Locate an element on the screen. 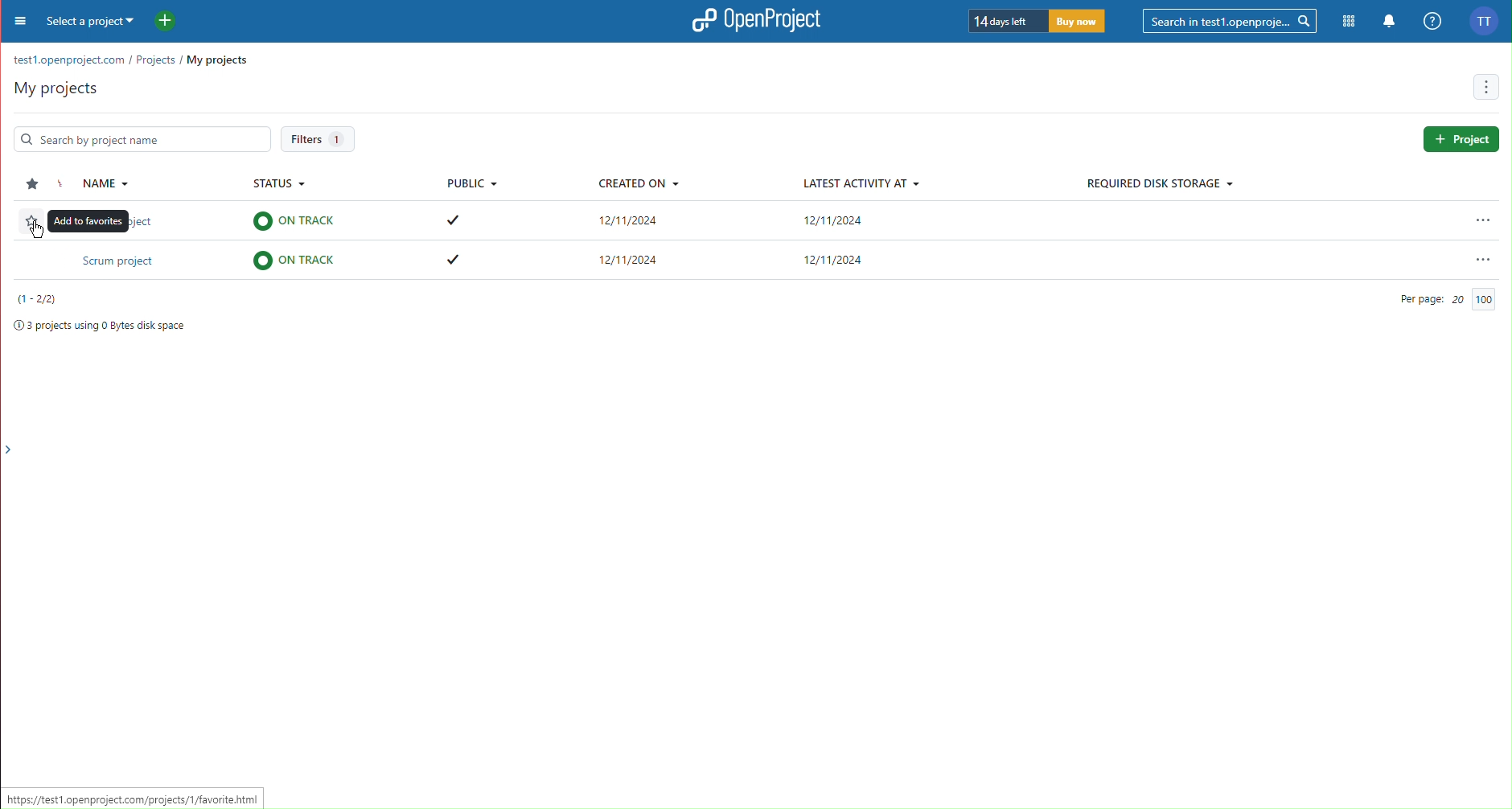  Created On is located at coordinates (637, 186).